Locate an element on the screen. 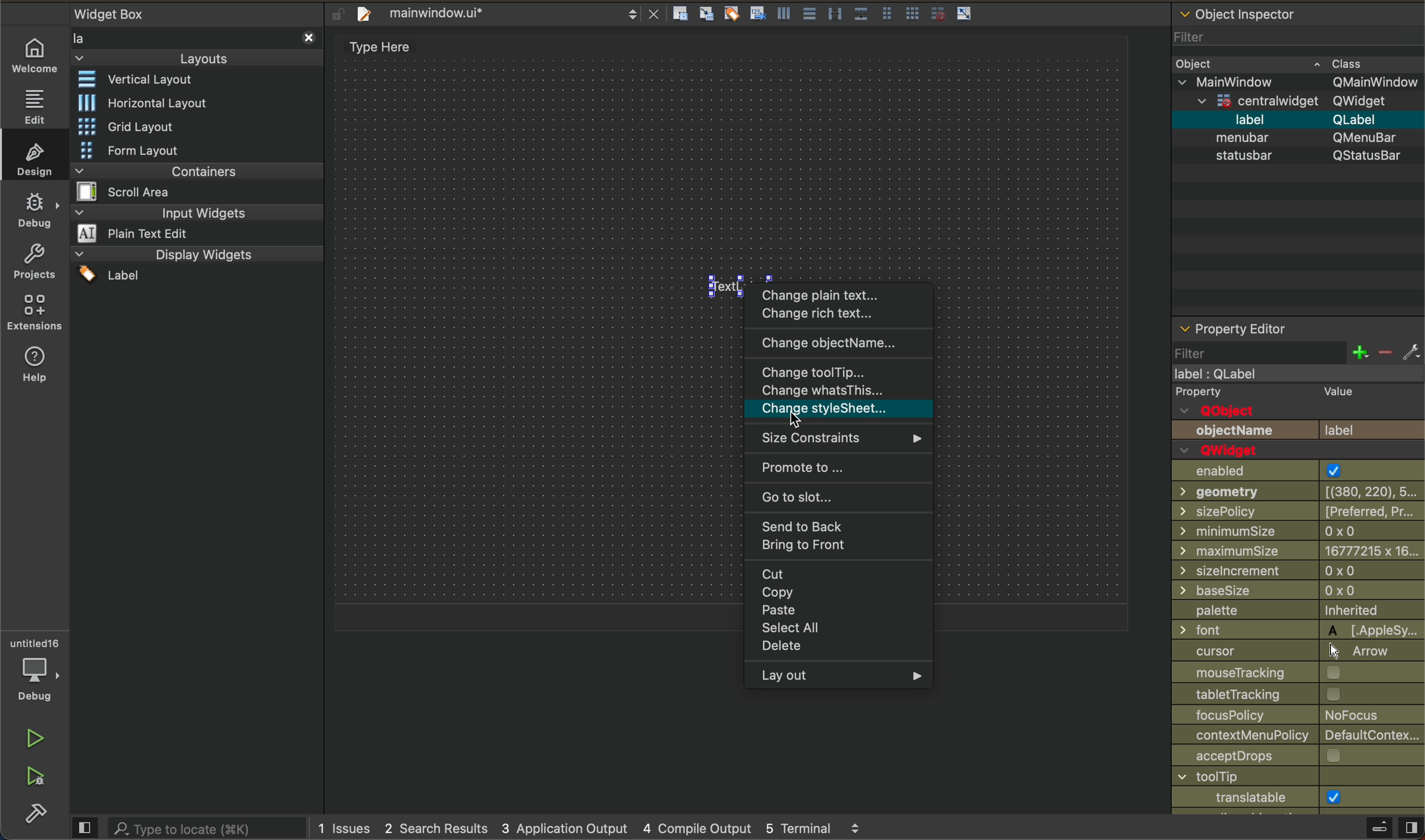 The image size is (1425, 840). display widget is located at coordinates (194, 264).